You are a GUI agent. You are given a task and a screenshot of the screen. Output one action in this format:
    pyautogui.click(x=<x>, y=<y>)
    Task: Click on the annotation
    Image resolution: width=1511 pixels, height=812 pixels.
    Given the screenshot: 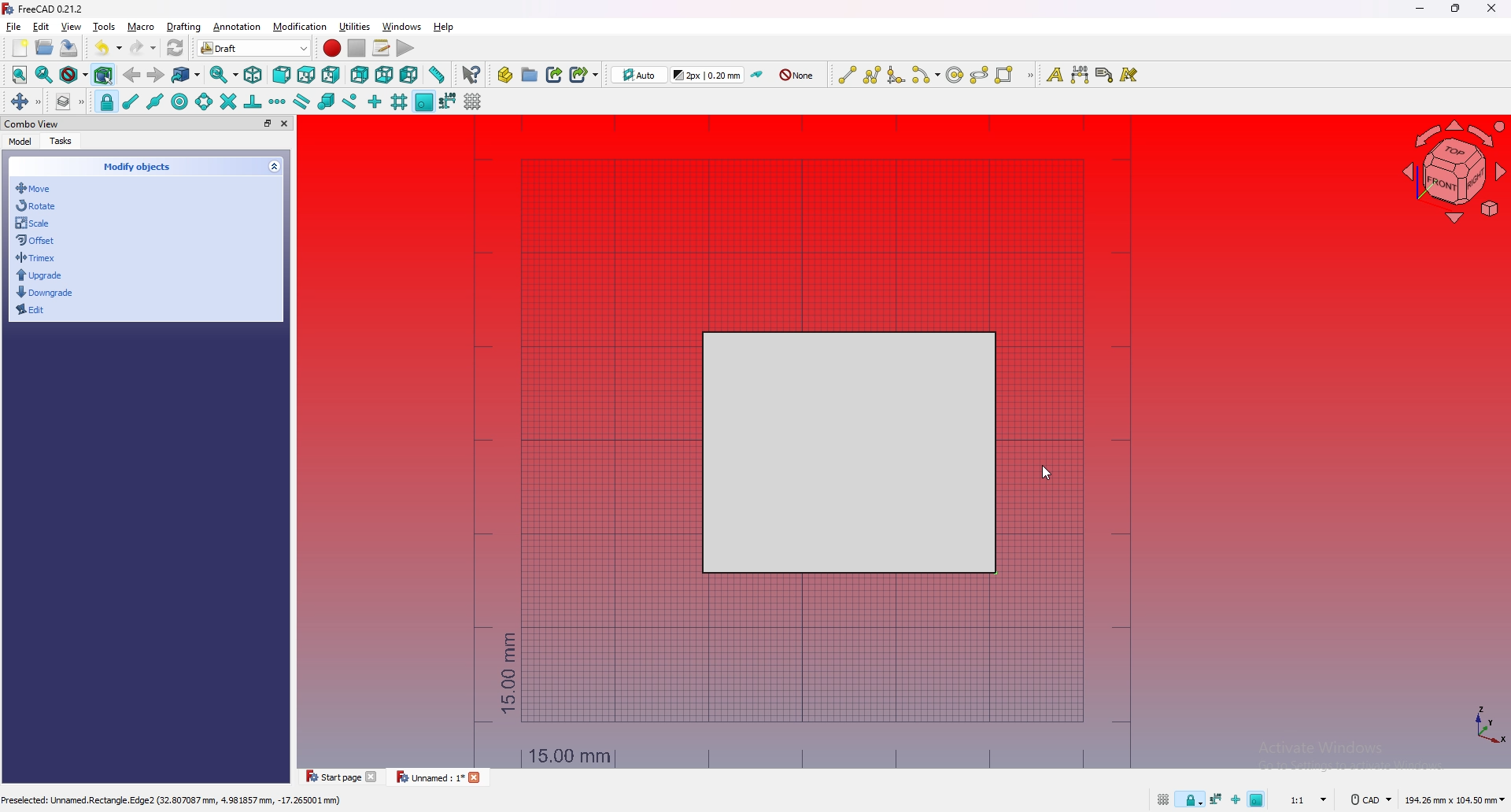 What is the action you would take?
    pyautogui.click(x=238, y=27)
    